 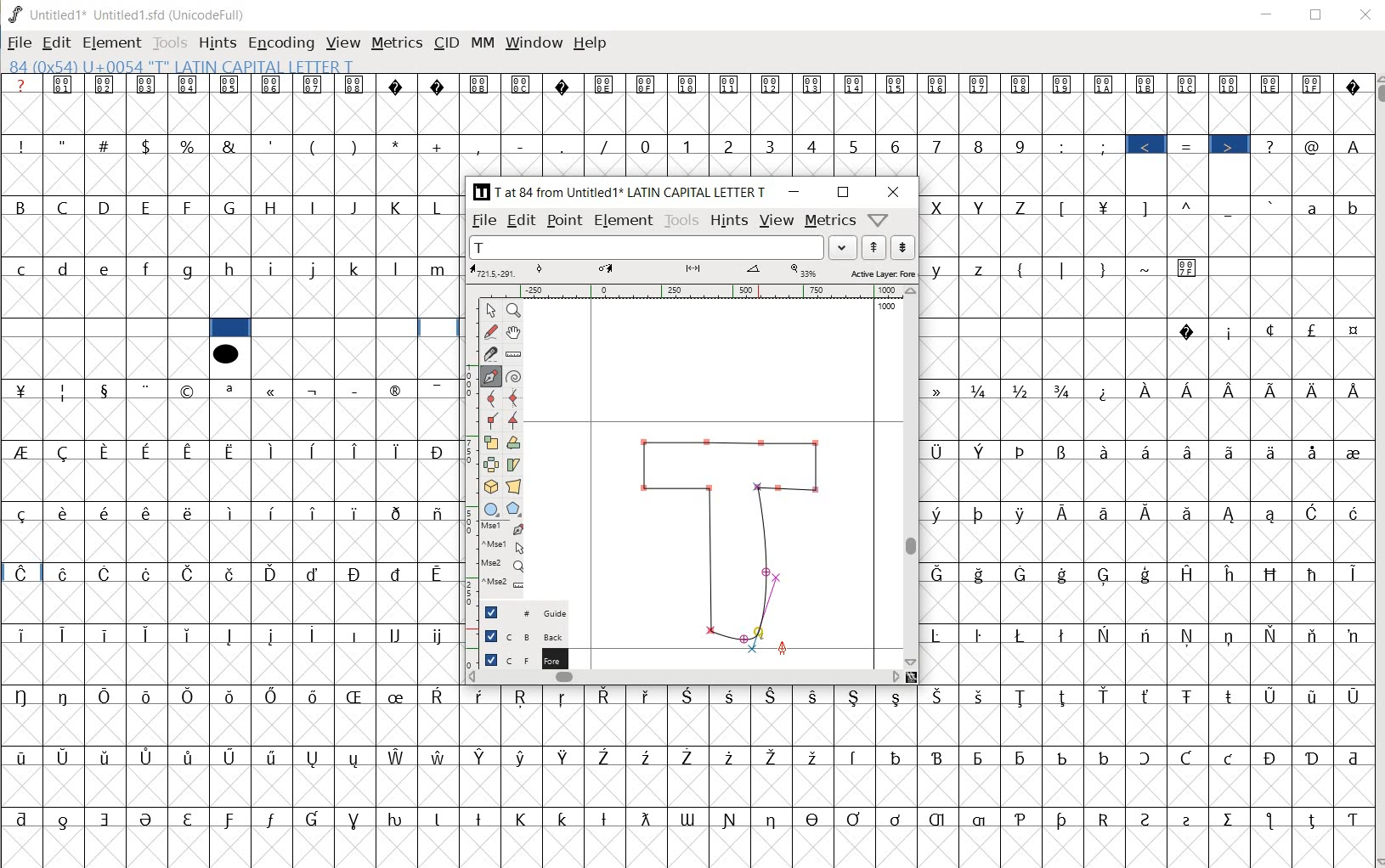 What do you see at coordinates (895, 146) in the screenshot?
I see `6` at bounding box center [895, 146].